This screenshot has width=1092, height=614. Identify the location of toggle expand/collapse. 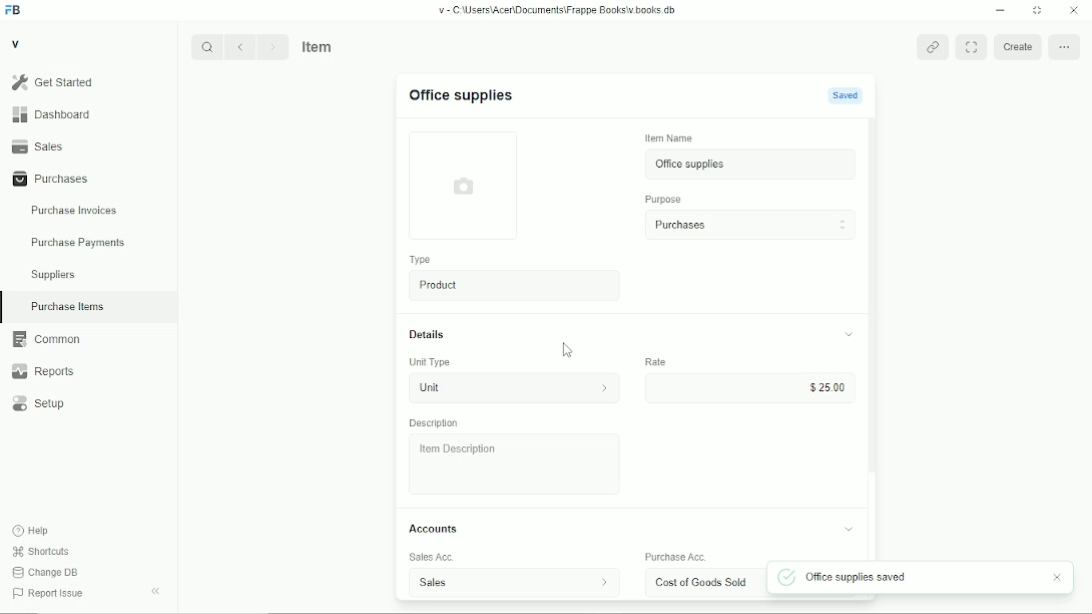
(849, 529).